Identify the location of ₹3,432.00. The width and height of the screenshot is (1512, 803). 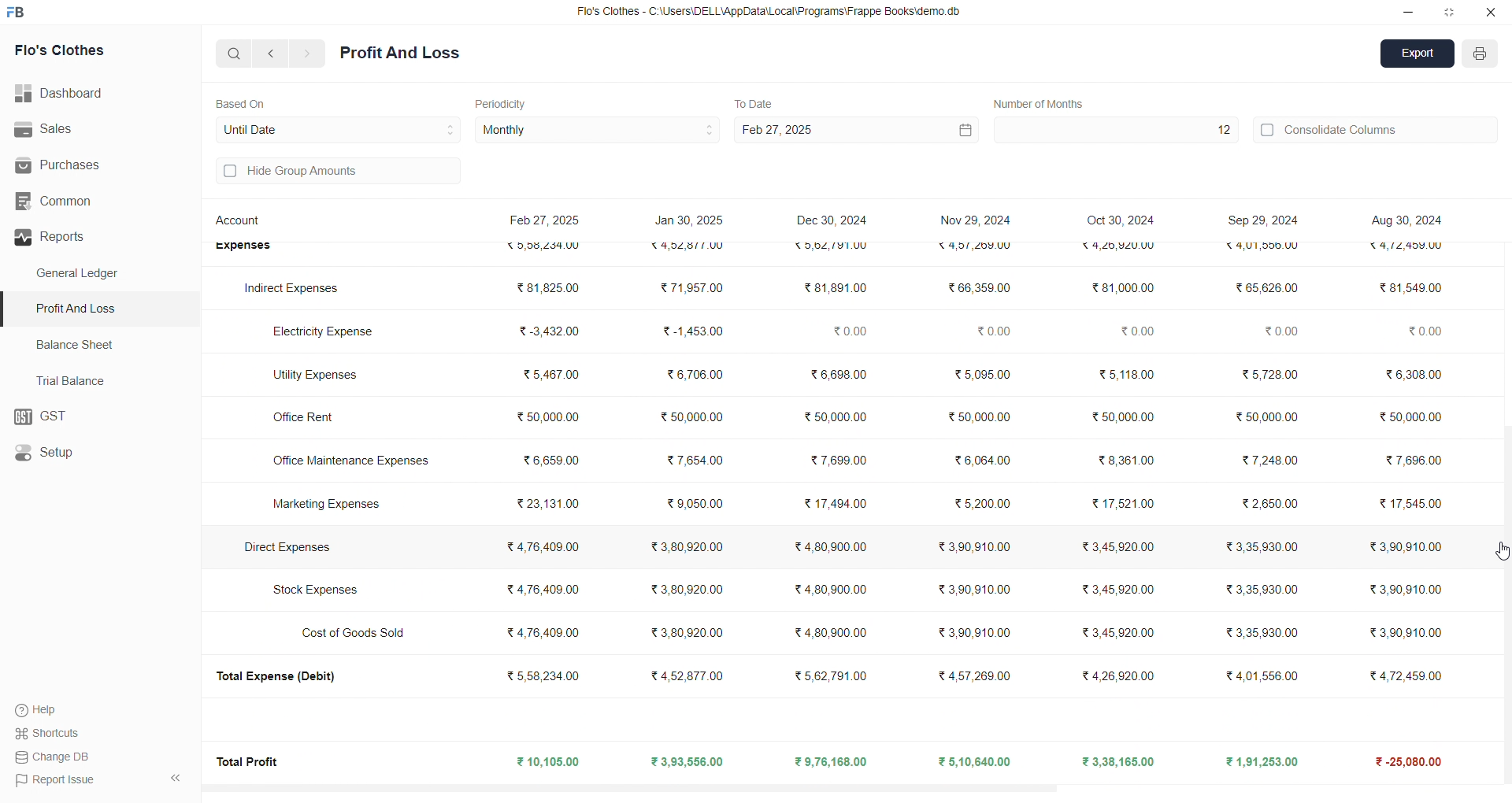
(543, 331).